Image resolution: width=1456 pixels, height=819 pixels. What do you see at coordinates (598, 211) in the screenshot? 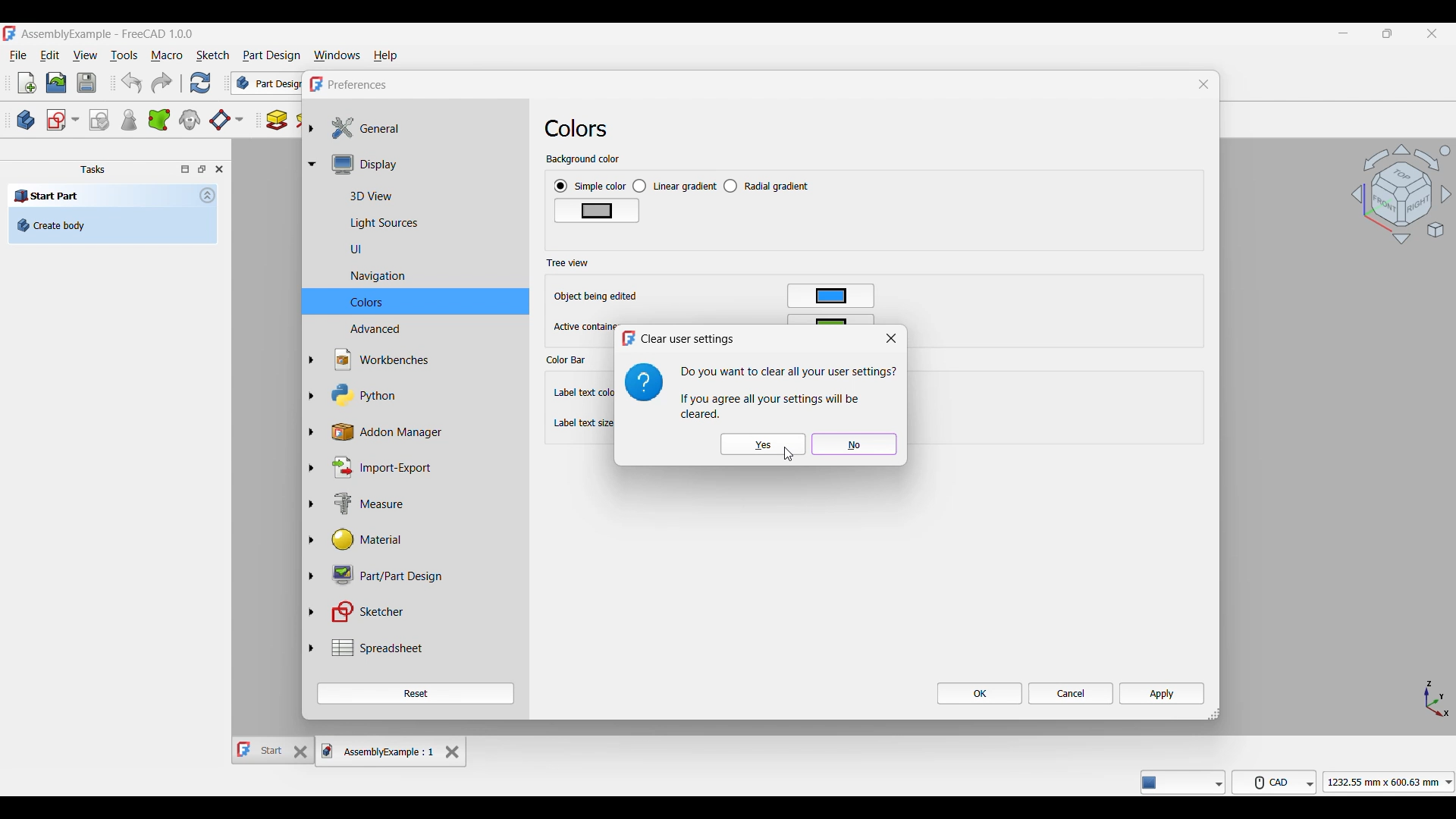
I see `Color setting for background color` at bounding box center [598, 211].